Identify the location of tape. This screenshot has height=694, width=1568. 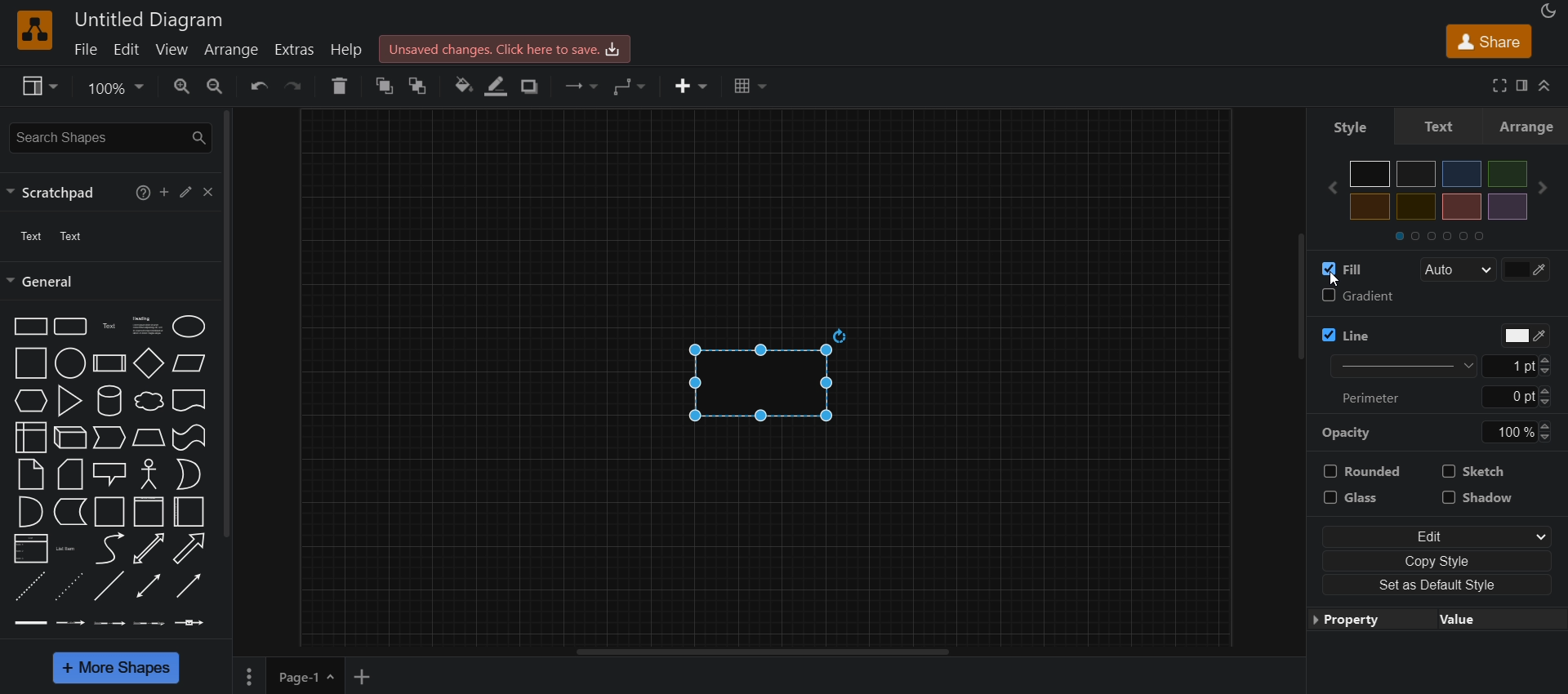
(190, 438).